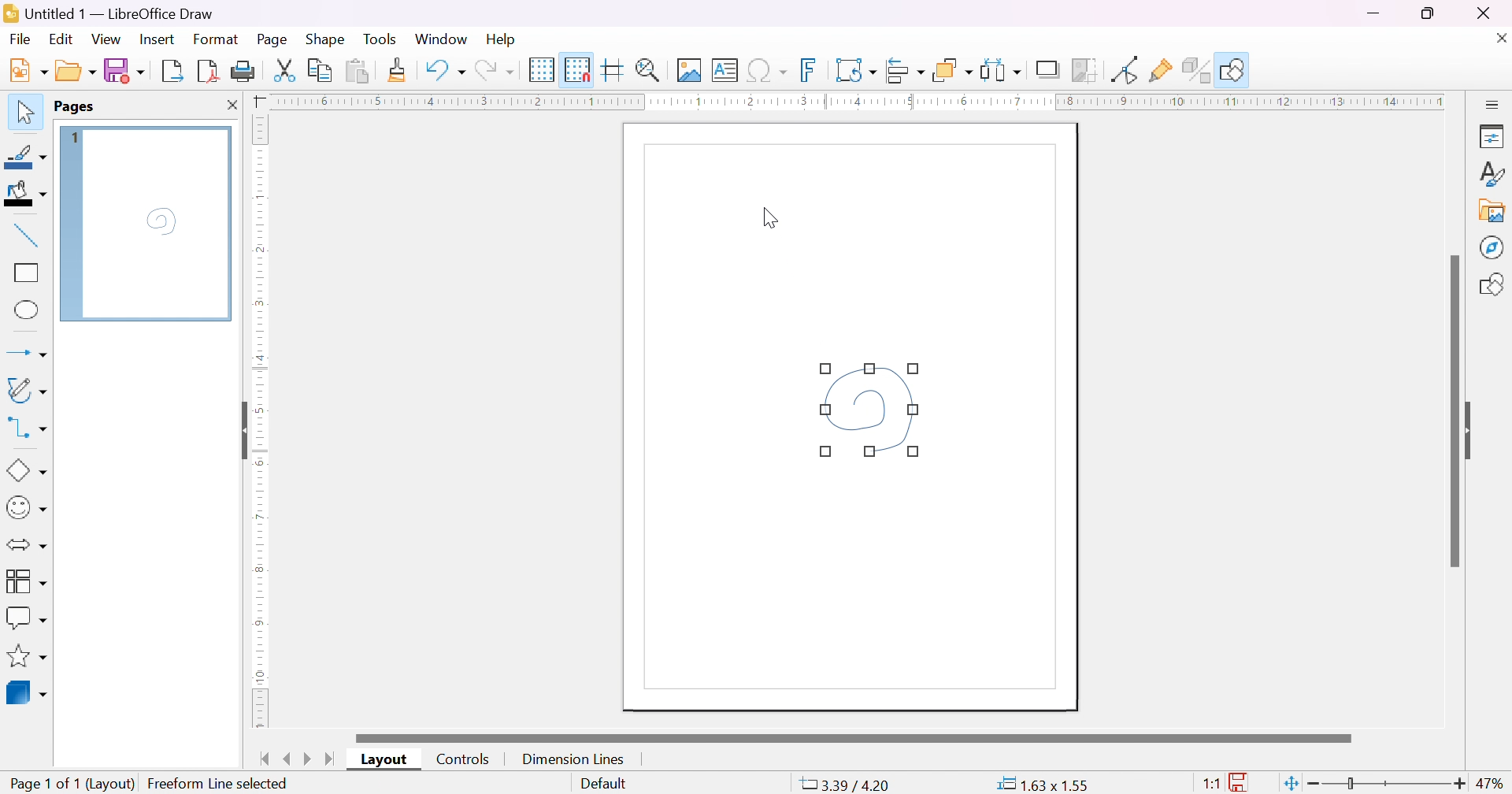  What do you see at coordinates (144, 224) in the screenshot?
I see `page 1` at bounding box center [144, 224].